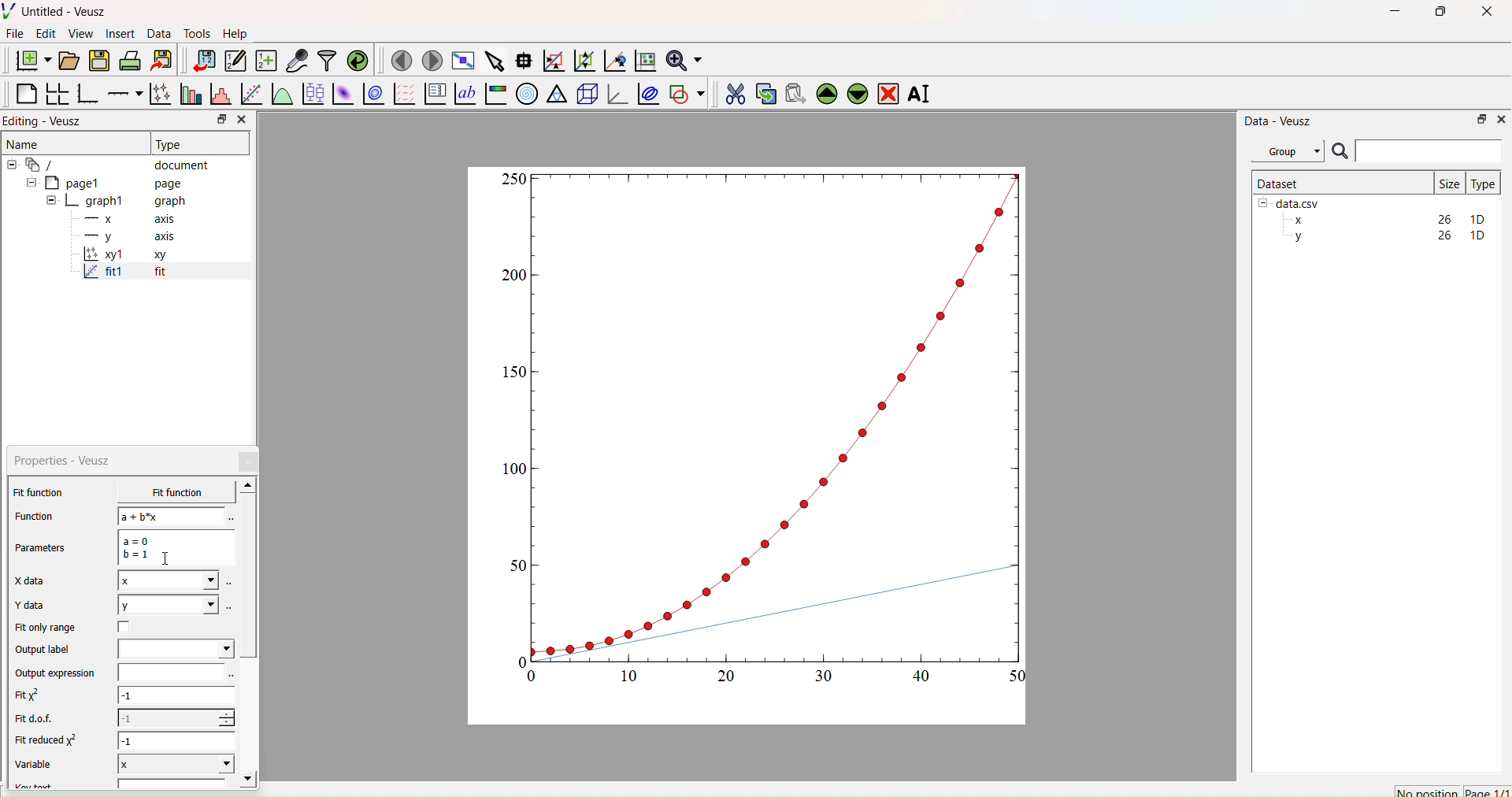  Describe the element at coordinates (464, 94) in the screenshot. I see `Text label` at that location.